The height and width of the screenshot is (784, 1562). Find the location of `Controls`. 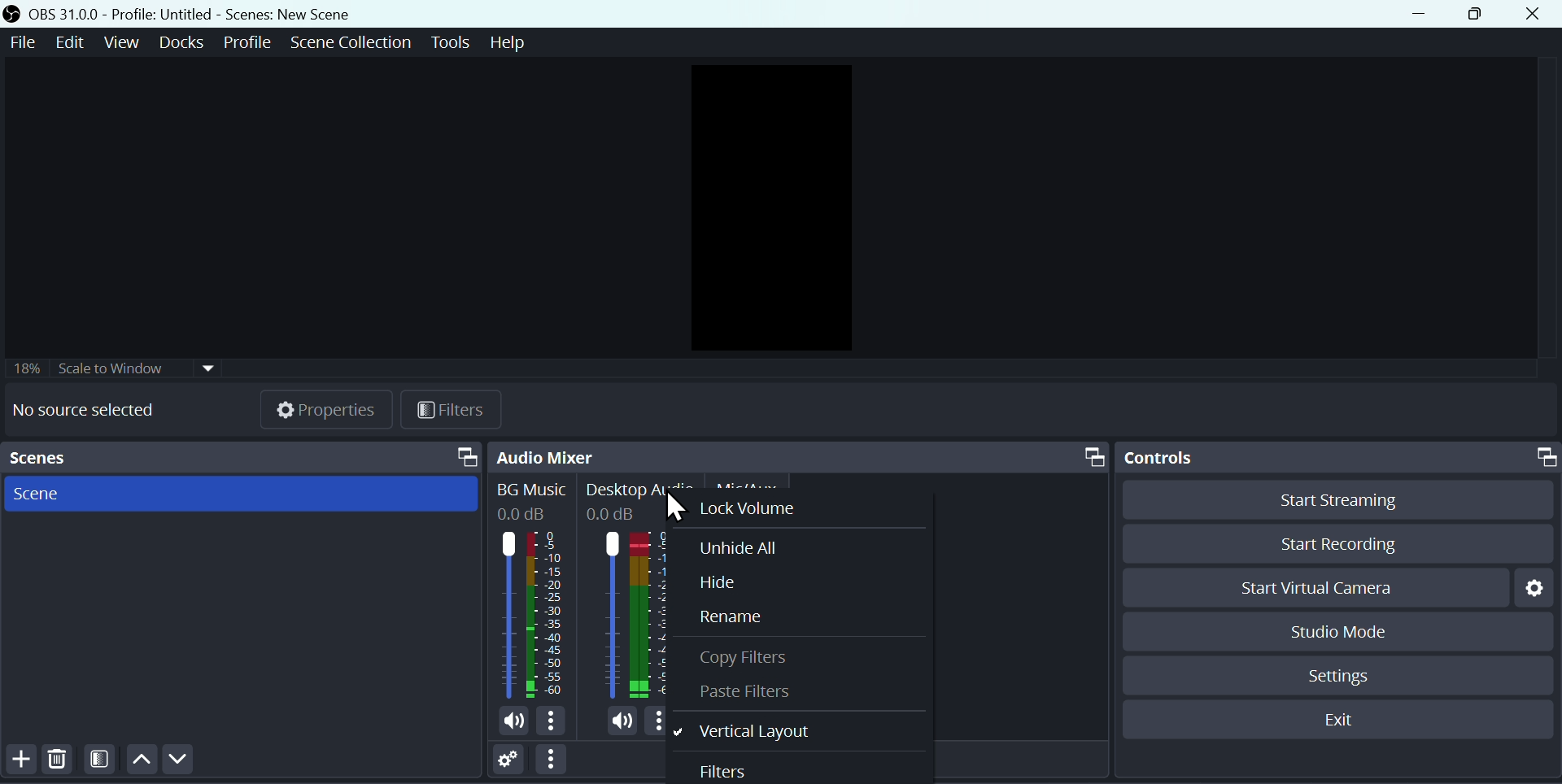

Controls is located at coordinates (1338, 459).